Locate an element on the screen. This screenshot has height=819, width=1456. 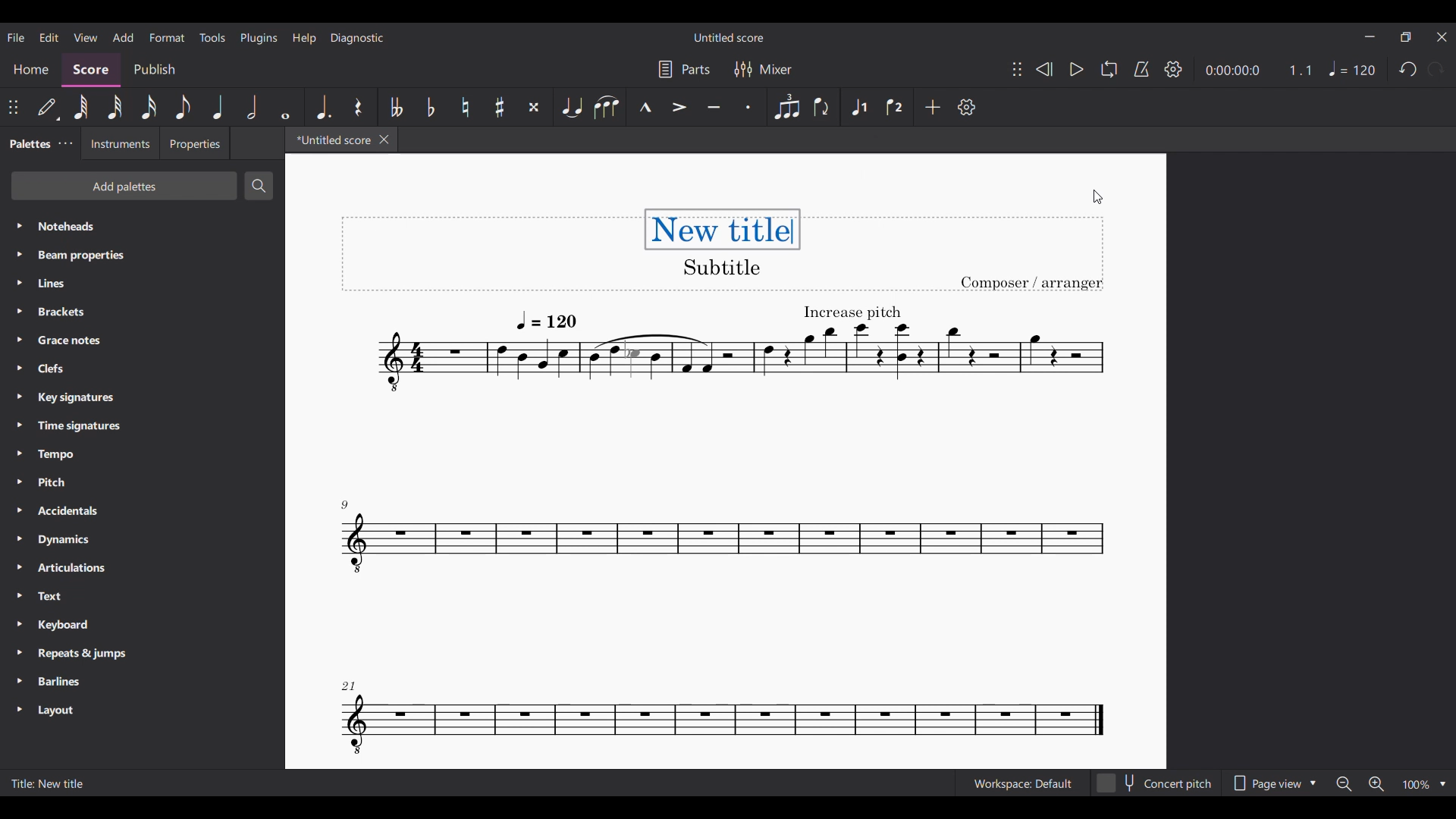
Rewind is located at coordinates (1043, 69).